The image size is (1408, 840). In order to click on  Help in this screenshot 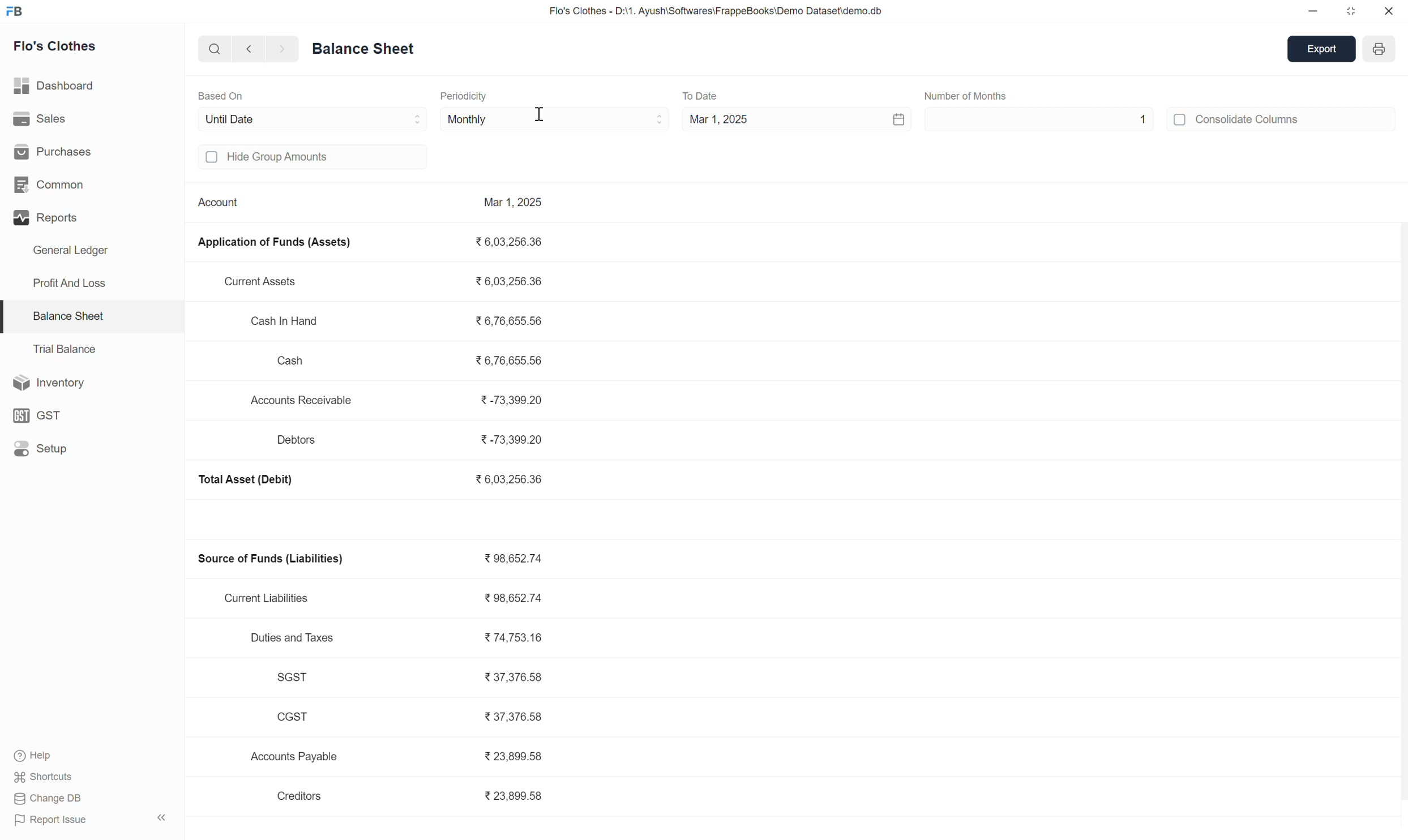, I will do `click(45, 755)`.